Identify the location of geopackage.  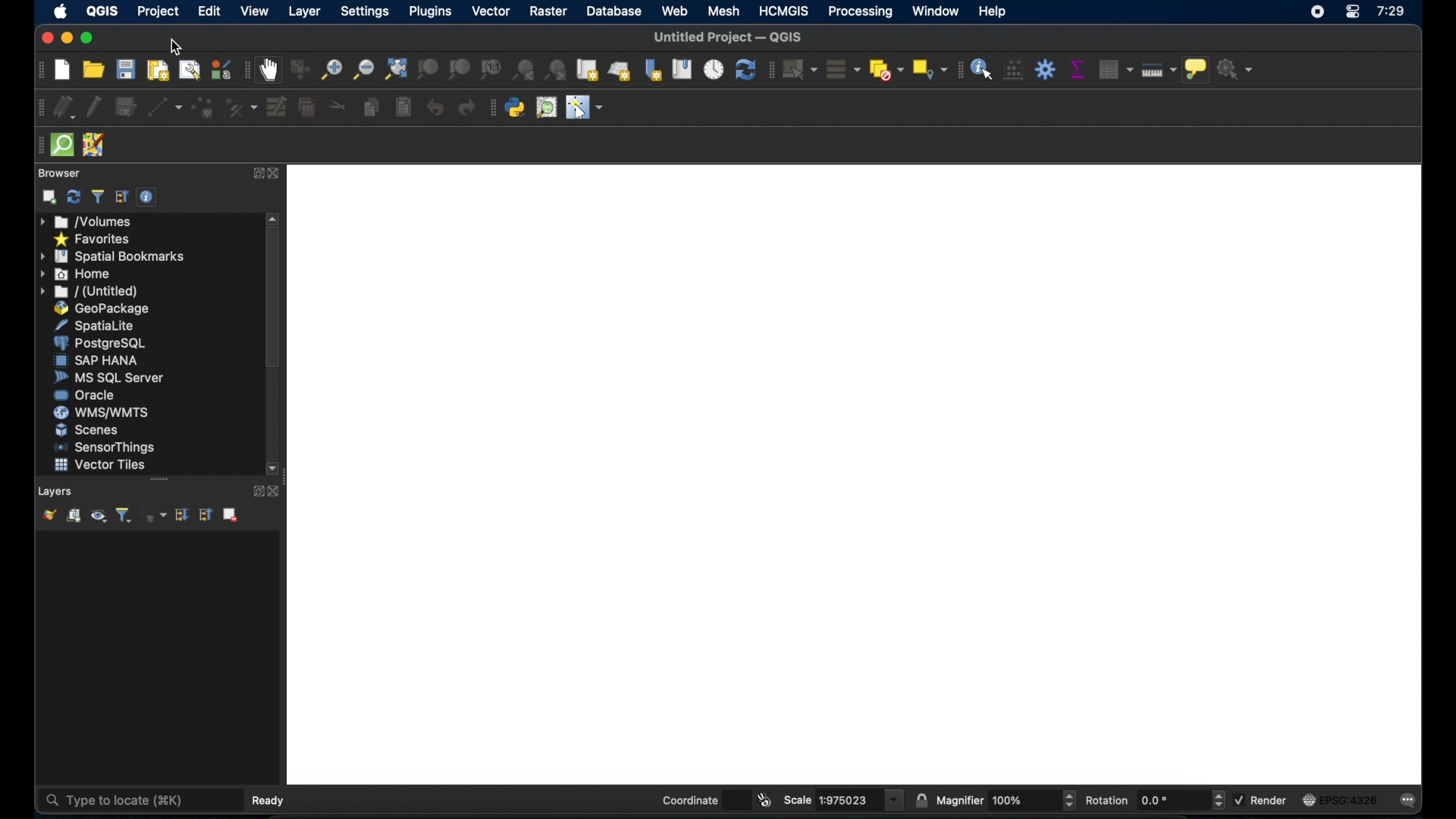
(105, 309).